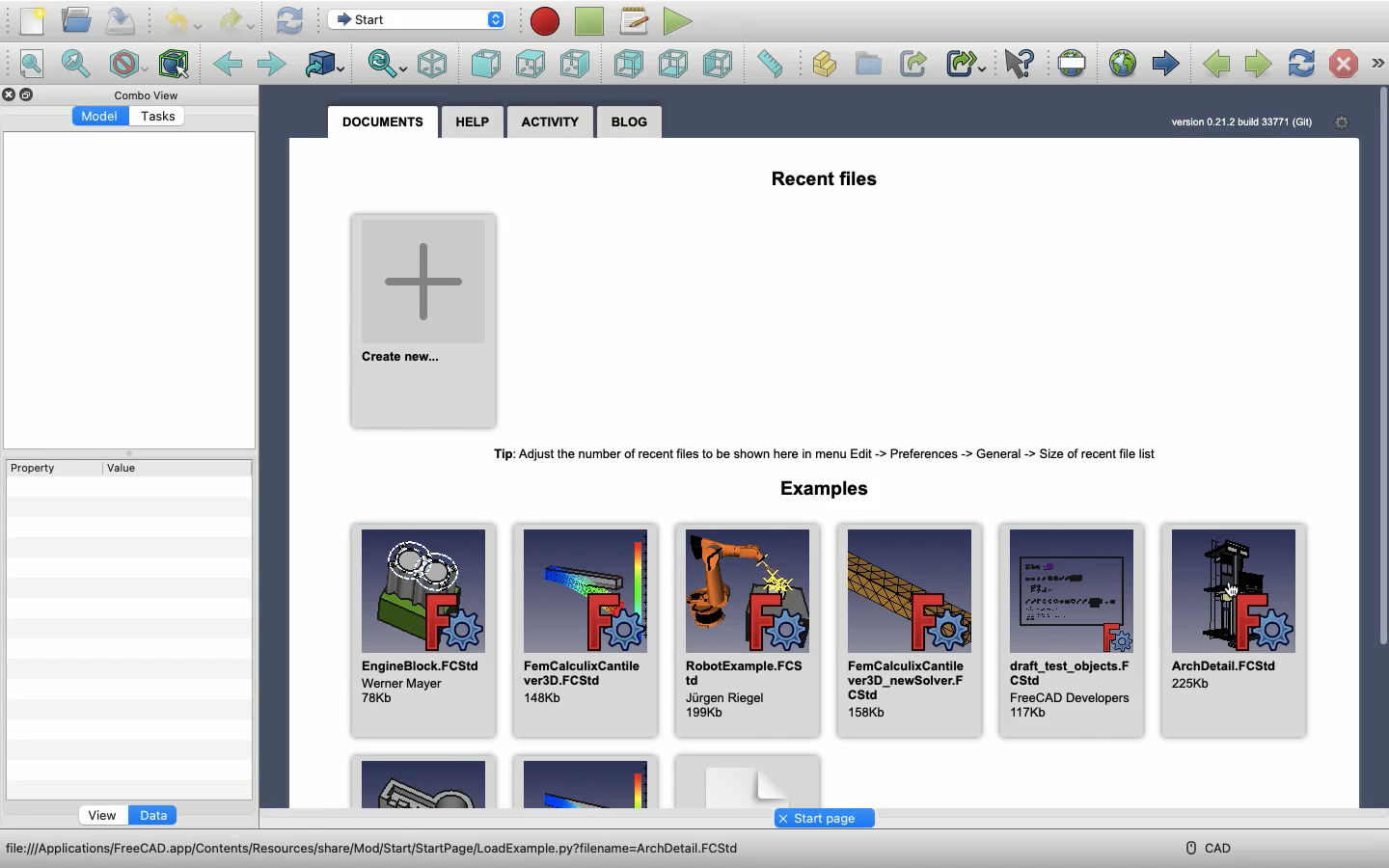 This screenshot has width=1389, height=868. What do you see at coordinates (1241, 123) in the screenshot?
I see `Version` at bounding box center [1241, 123].